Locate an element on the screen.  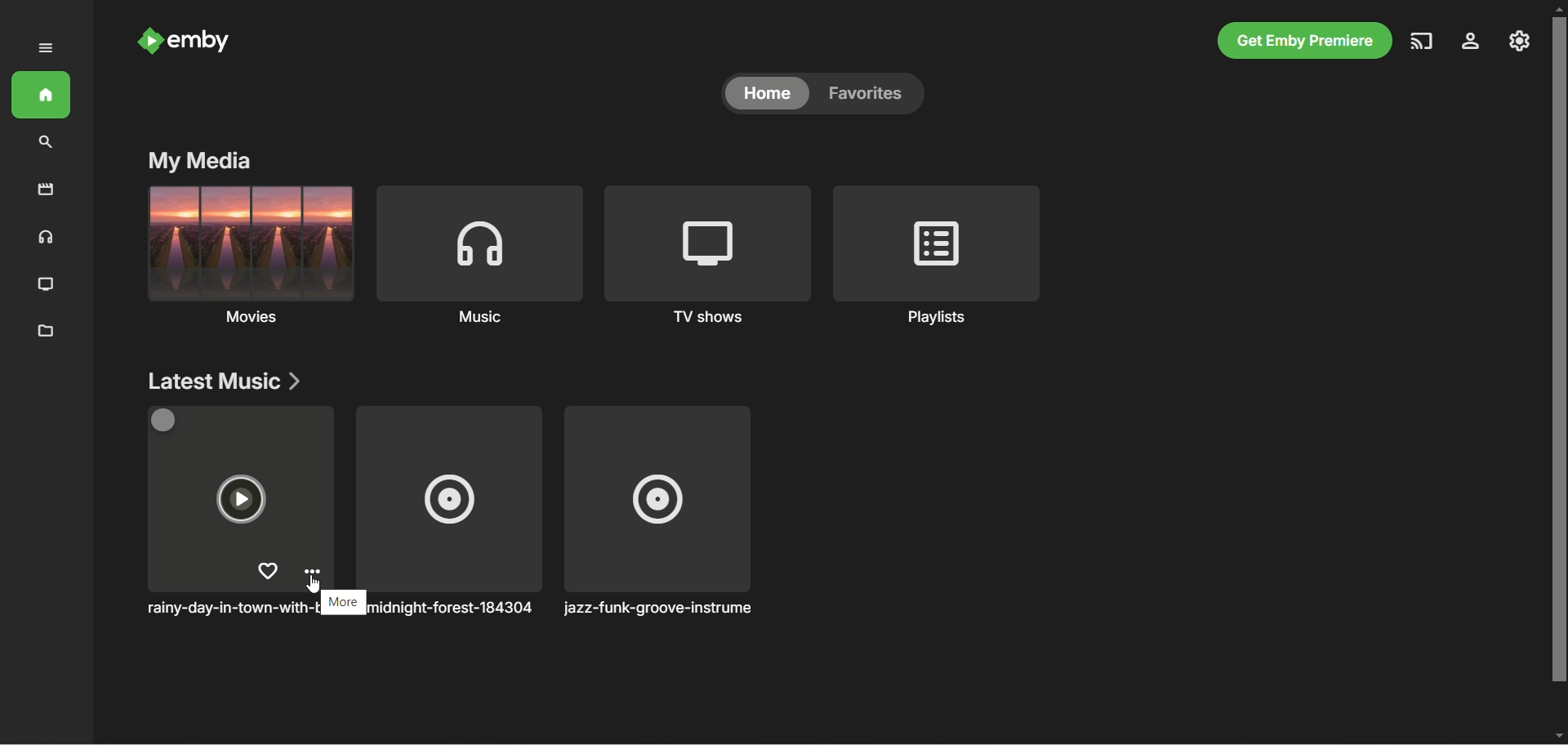
metadata manager is located at coordinates (47, 333).